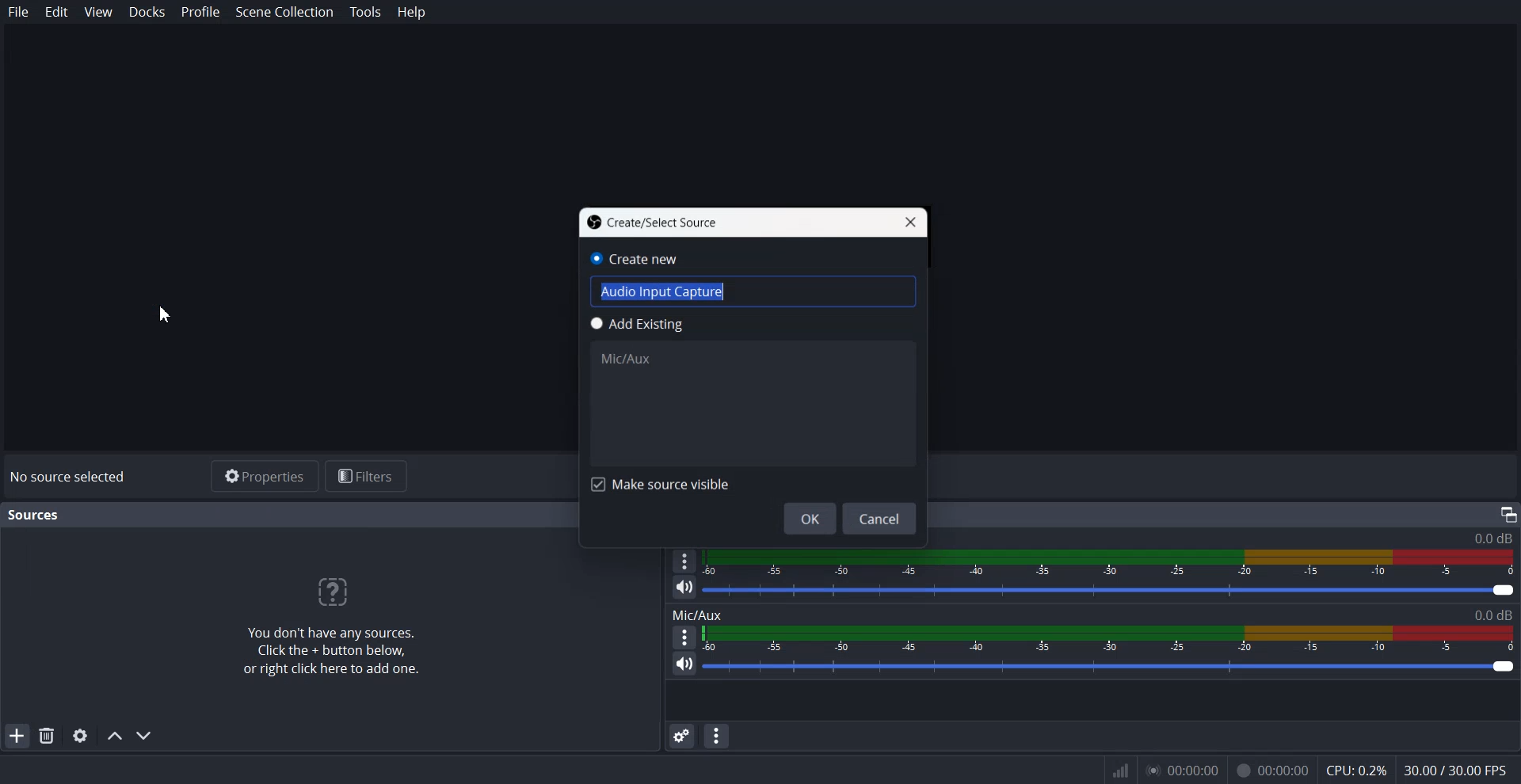  I want to click on Filters, so click(367, 475).